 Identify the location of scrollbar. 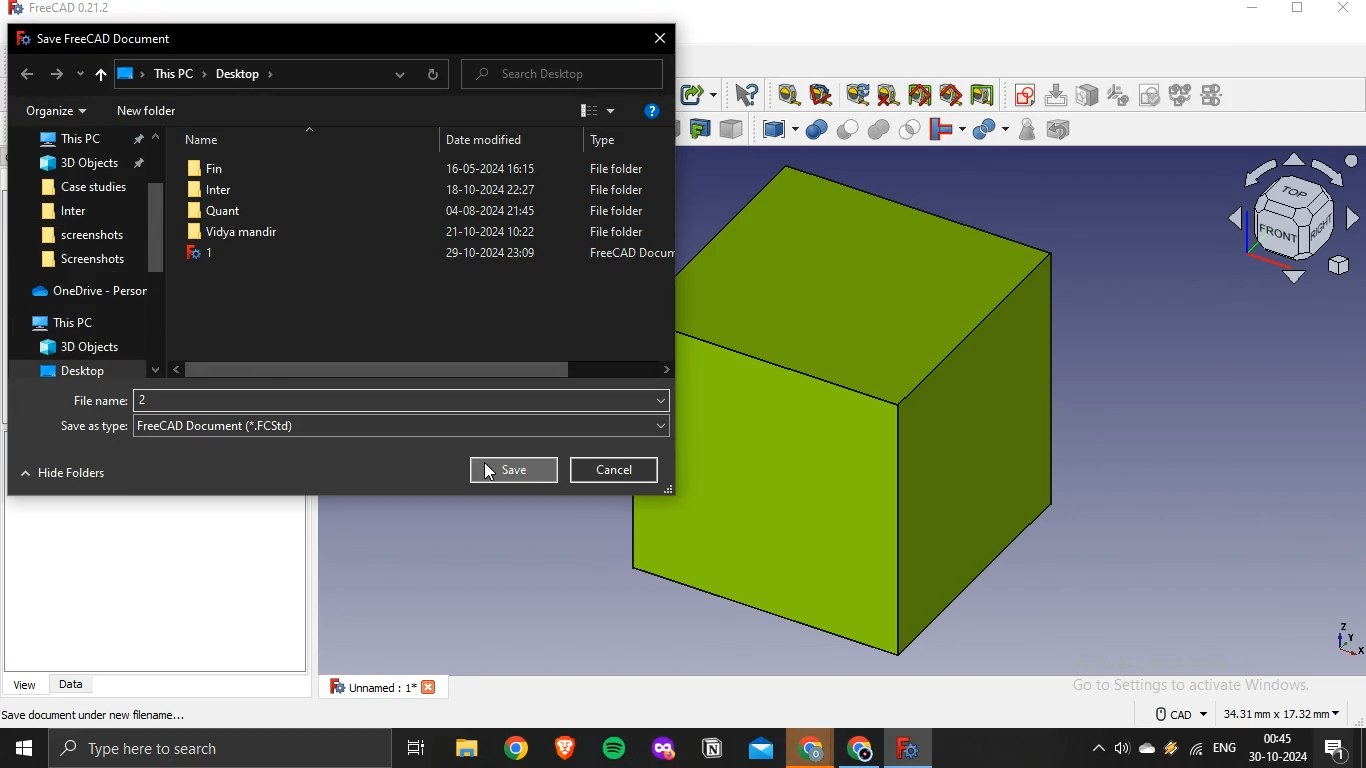
(421, 369).